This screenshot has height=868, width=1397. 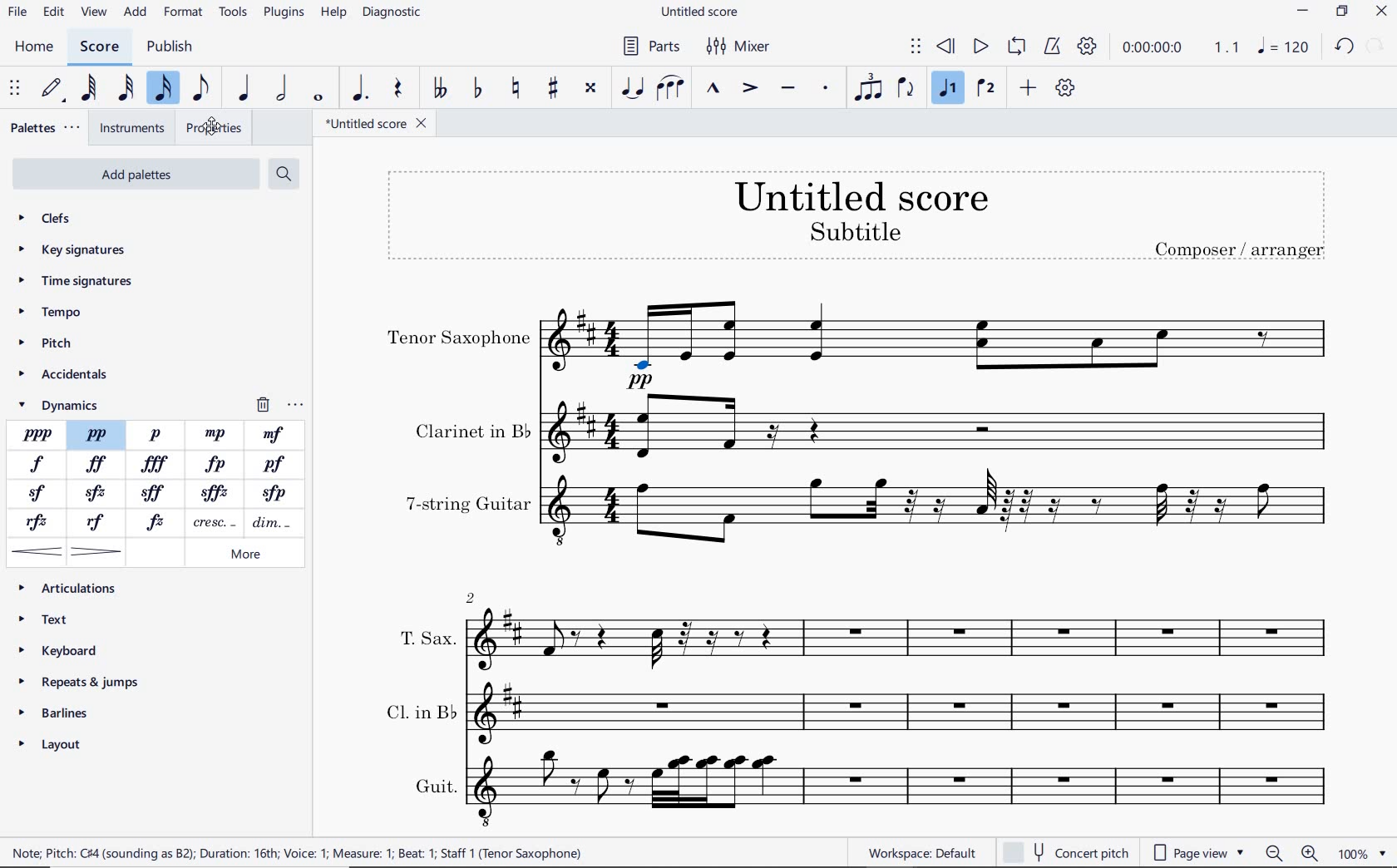 I want to click on time signatures, so click(x=78, y=279).